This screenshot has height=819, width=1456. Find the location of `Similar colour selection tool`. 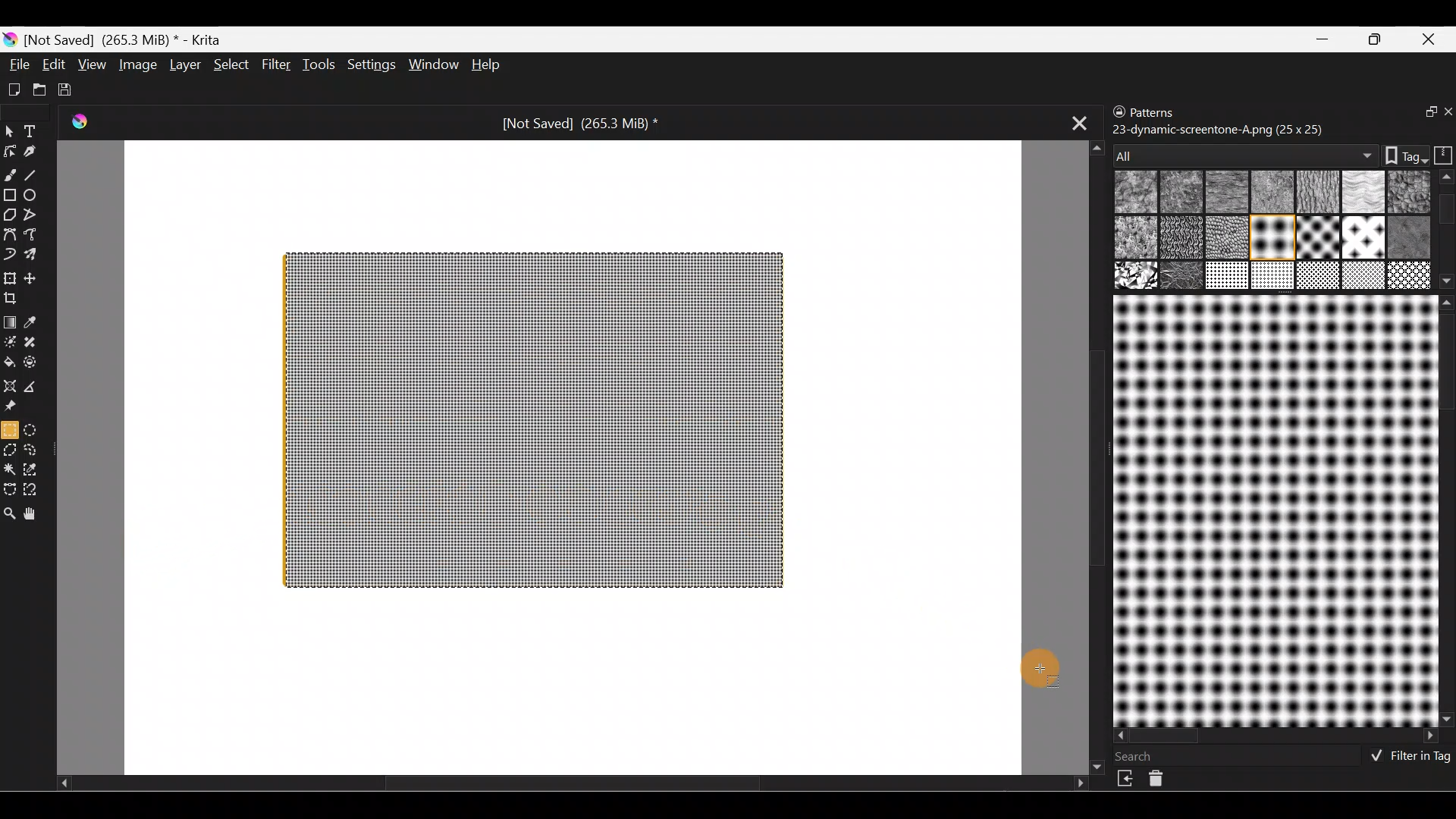

Similar colour selection tool is located at coordinates (36, 472).